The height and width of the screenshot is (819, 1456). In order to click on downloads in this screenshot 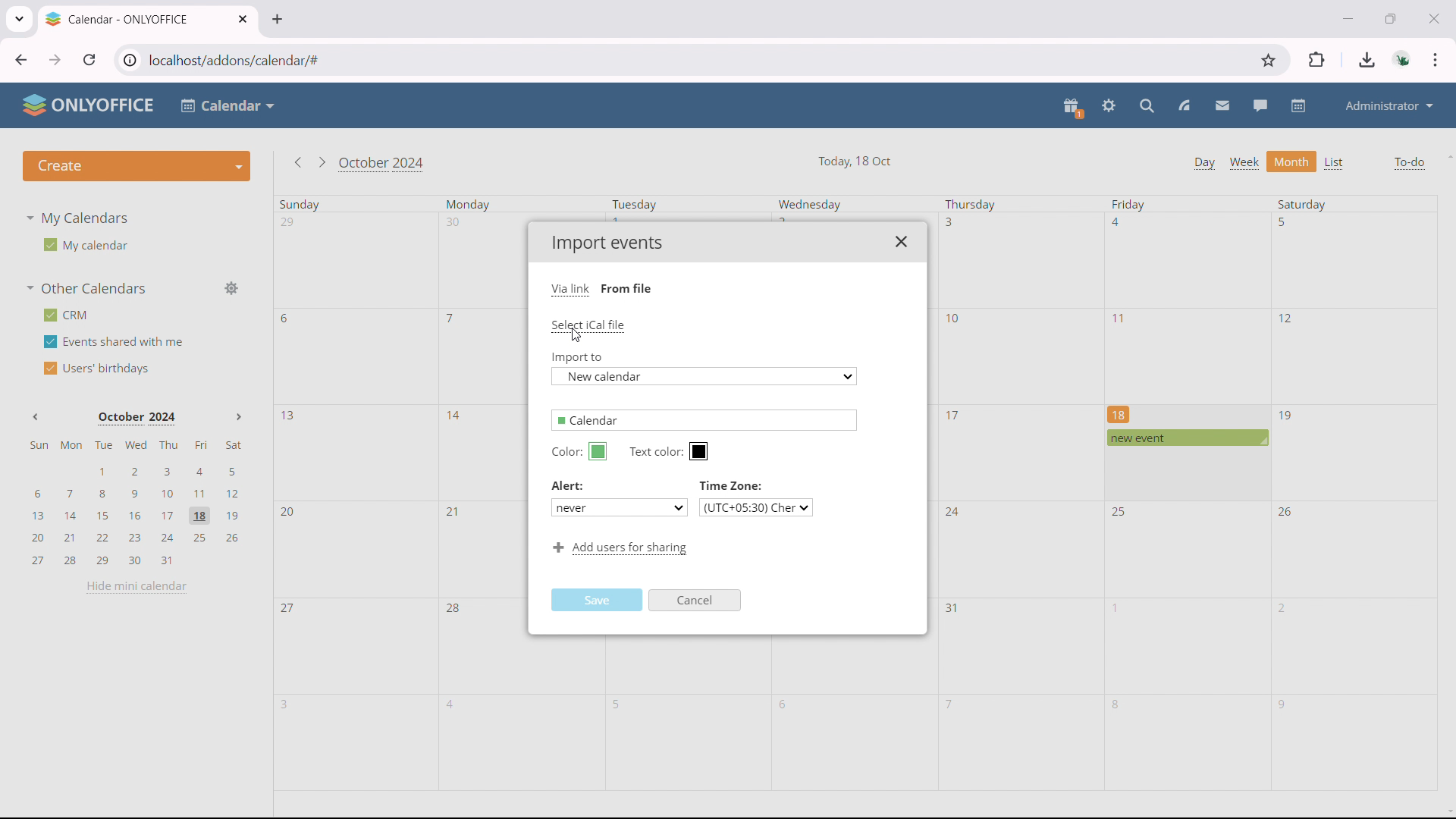, I will do `click(1367, 60)`.